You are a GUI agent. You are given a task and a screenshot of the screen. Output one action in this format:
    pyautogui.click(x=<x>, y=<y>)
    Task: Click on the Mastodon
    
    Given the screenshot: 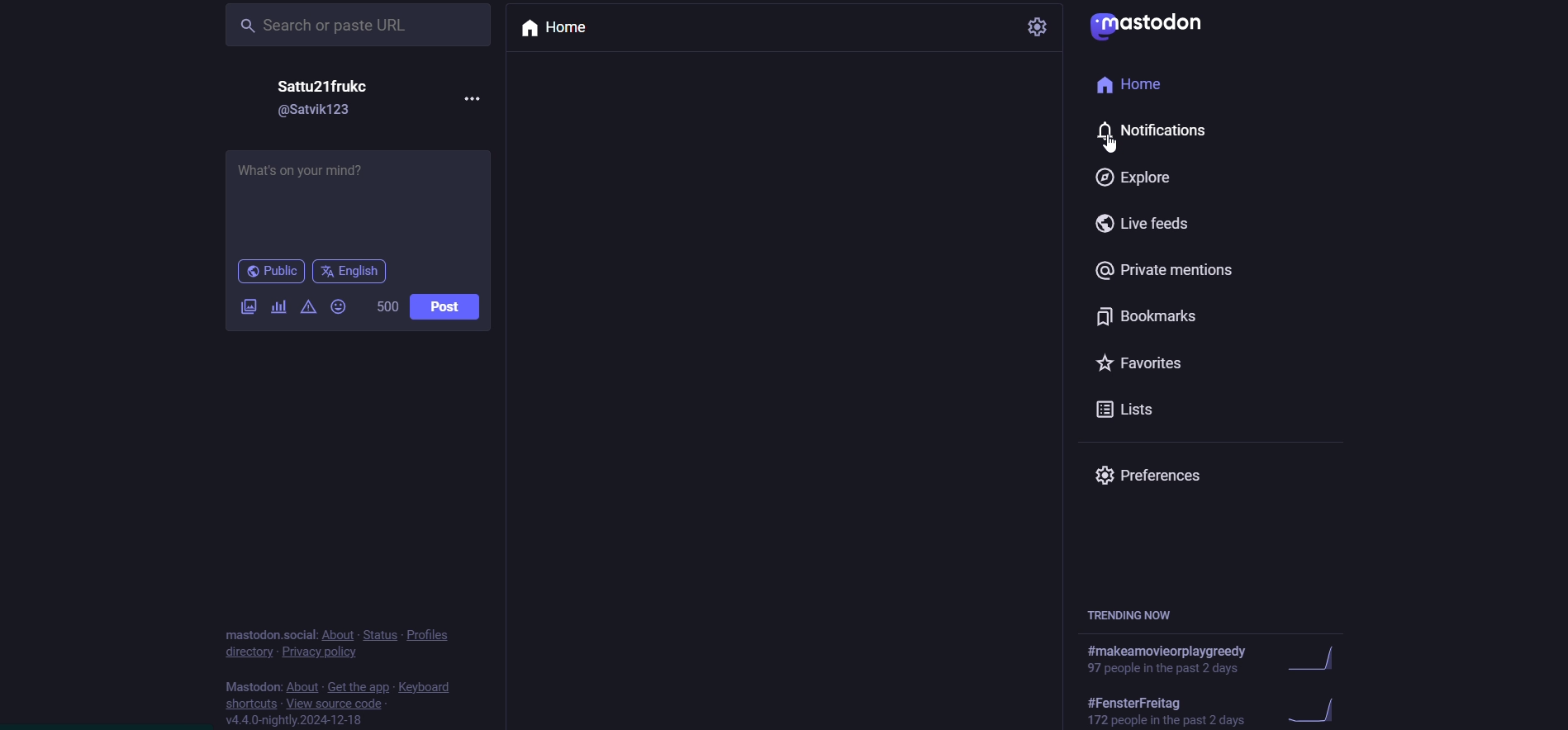 What is the action you would take?
    pyautogui.click(x=250, y=687)
    